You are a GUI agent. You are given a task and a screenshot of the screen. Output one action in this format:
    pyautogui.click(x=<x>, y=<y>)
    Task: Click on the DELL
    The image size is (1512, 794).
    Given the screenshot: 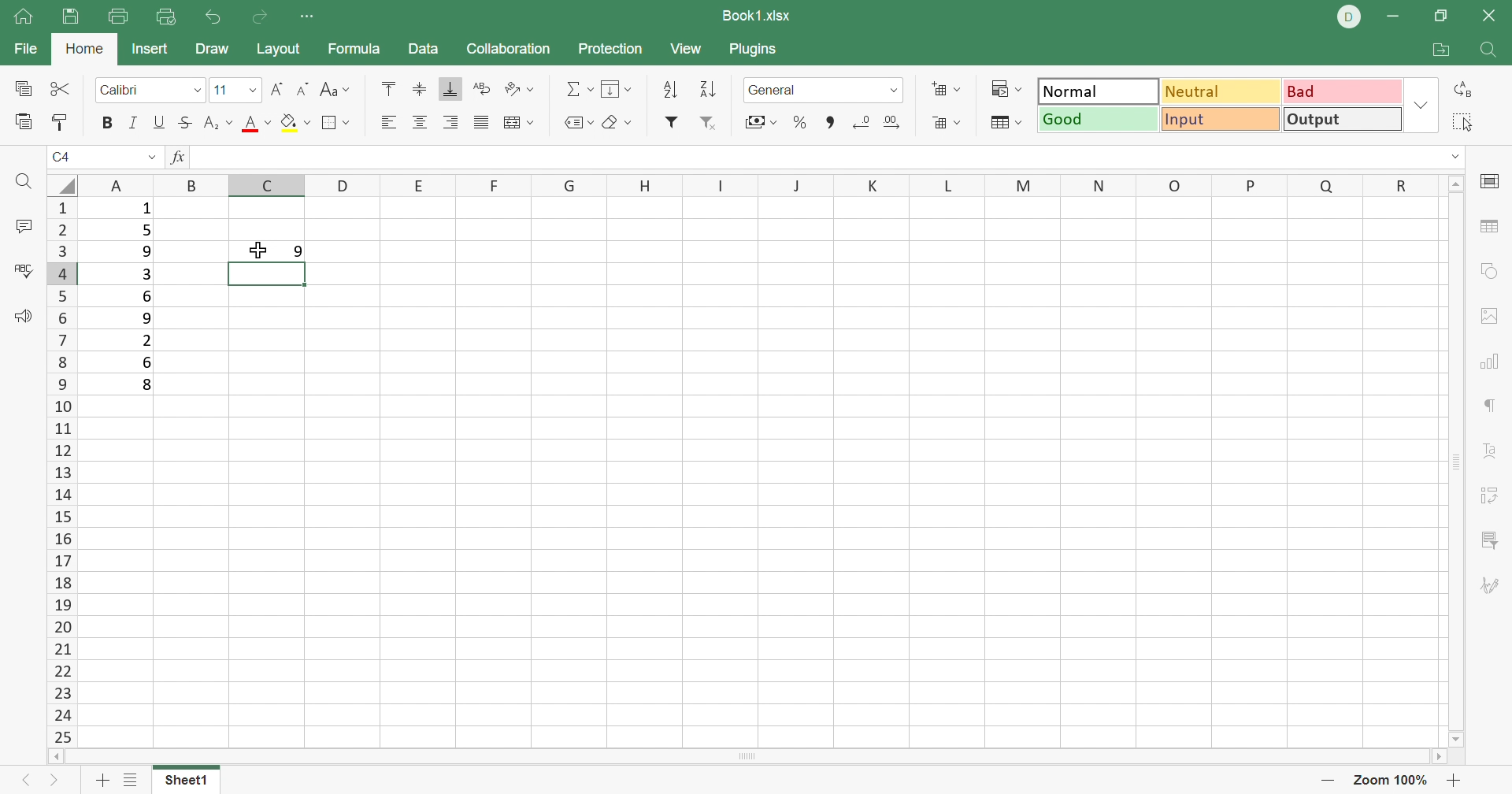 What is the action you would take?
    pyautogui.click(x=1350, y=20)
    